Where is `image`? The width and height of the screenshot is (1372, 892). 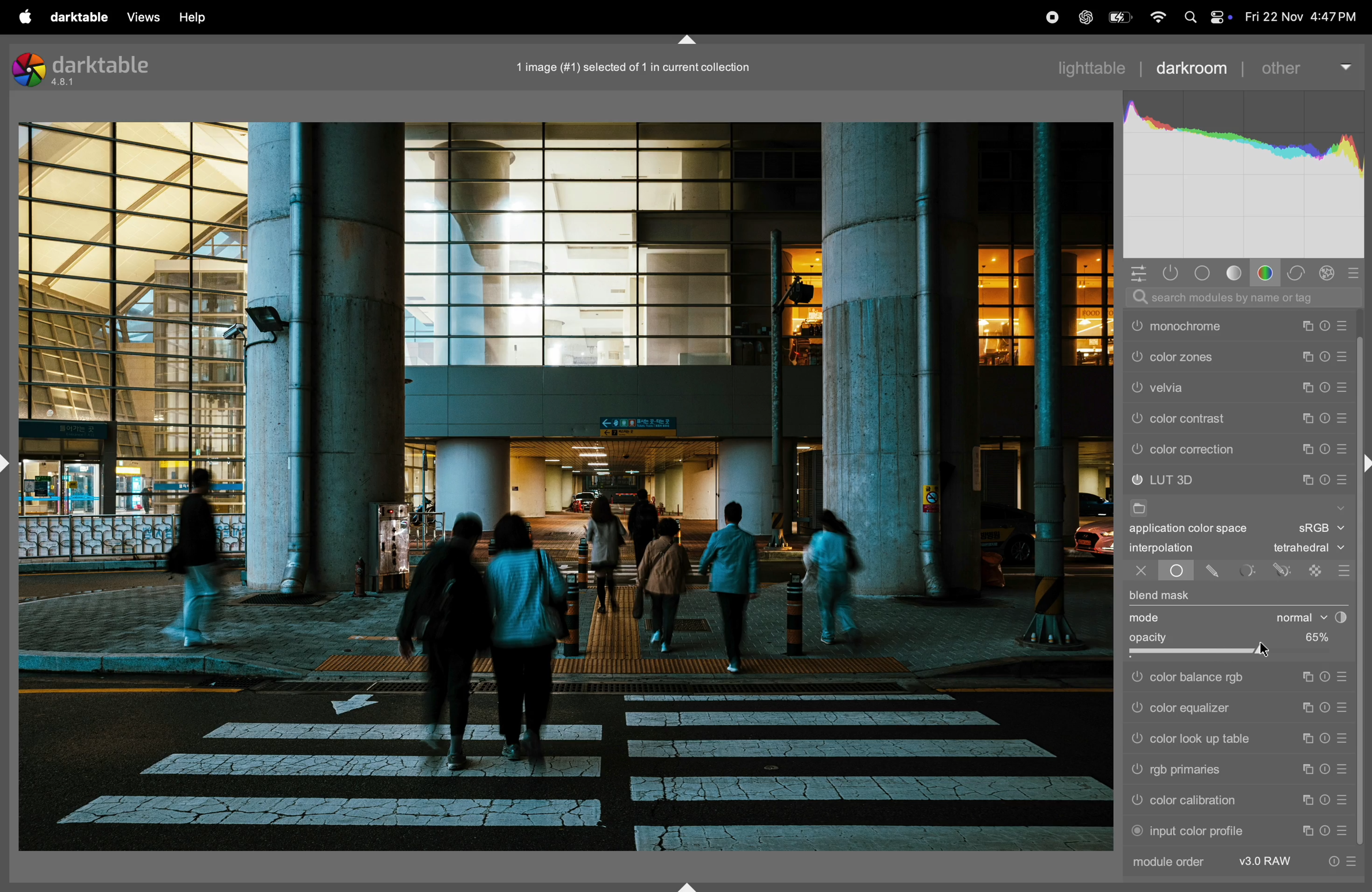
image is located at coordinates (568, 487).